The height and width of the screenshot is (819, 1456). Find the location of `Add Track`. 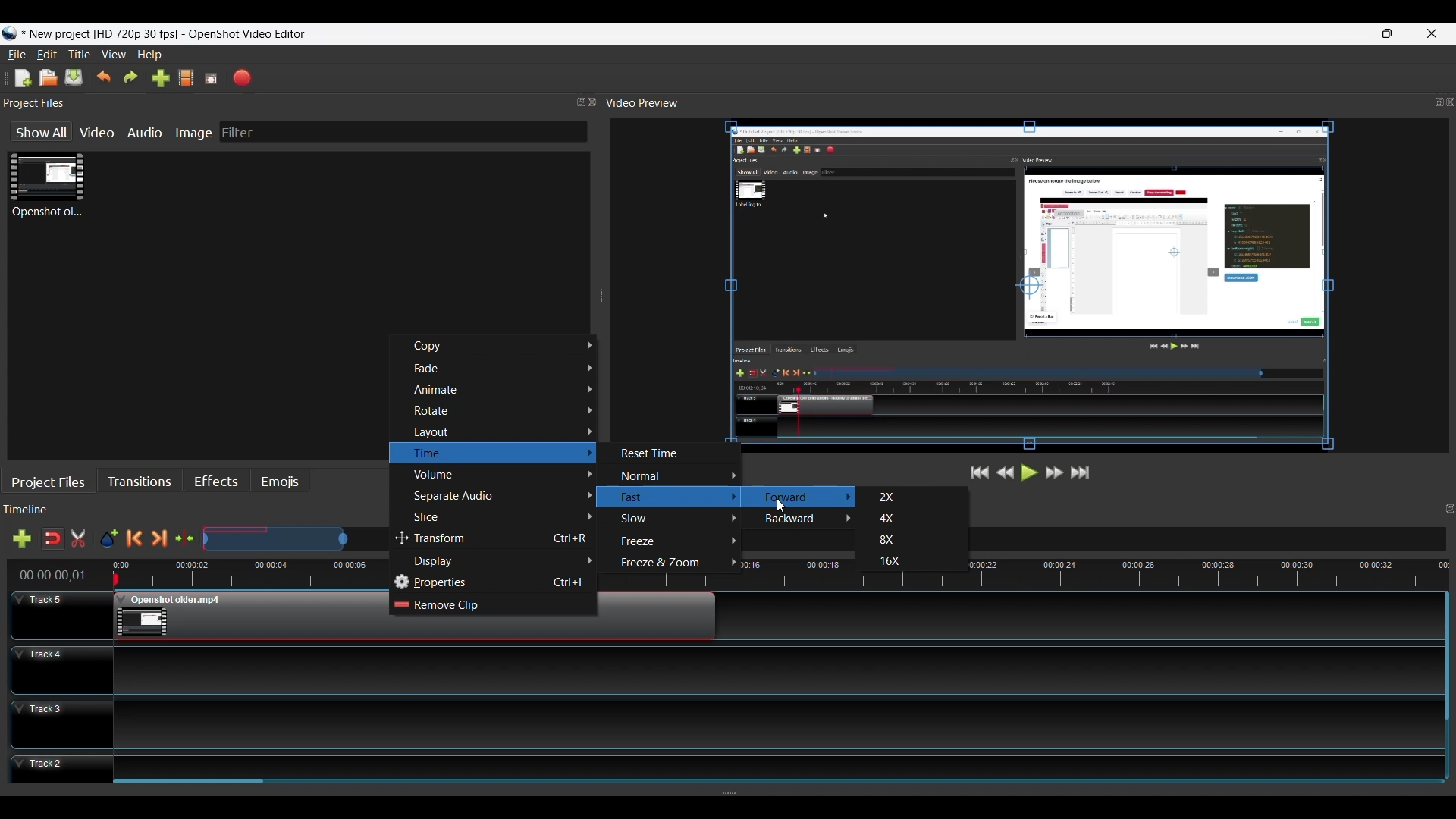

Add Track is located at coordinates (22, 538).